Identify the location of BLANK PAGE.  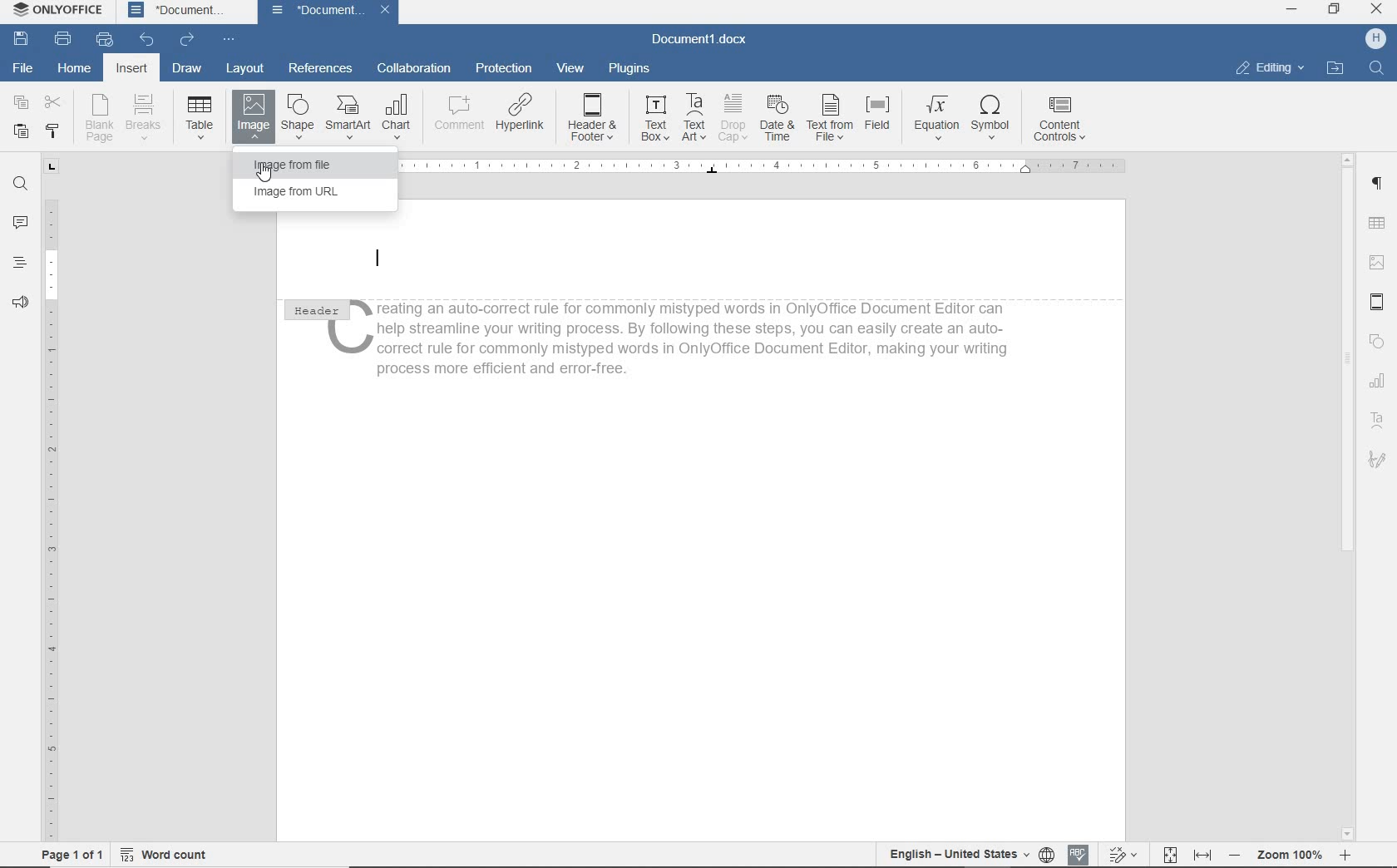
(97, 120).